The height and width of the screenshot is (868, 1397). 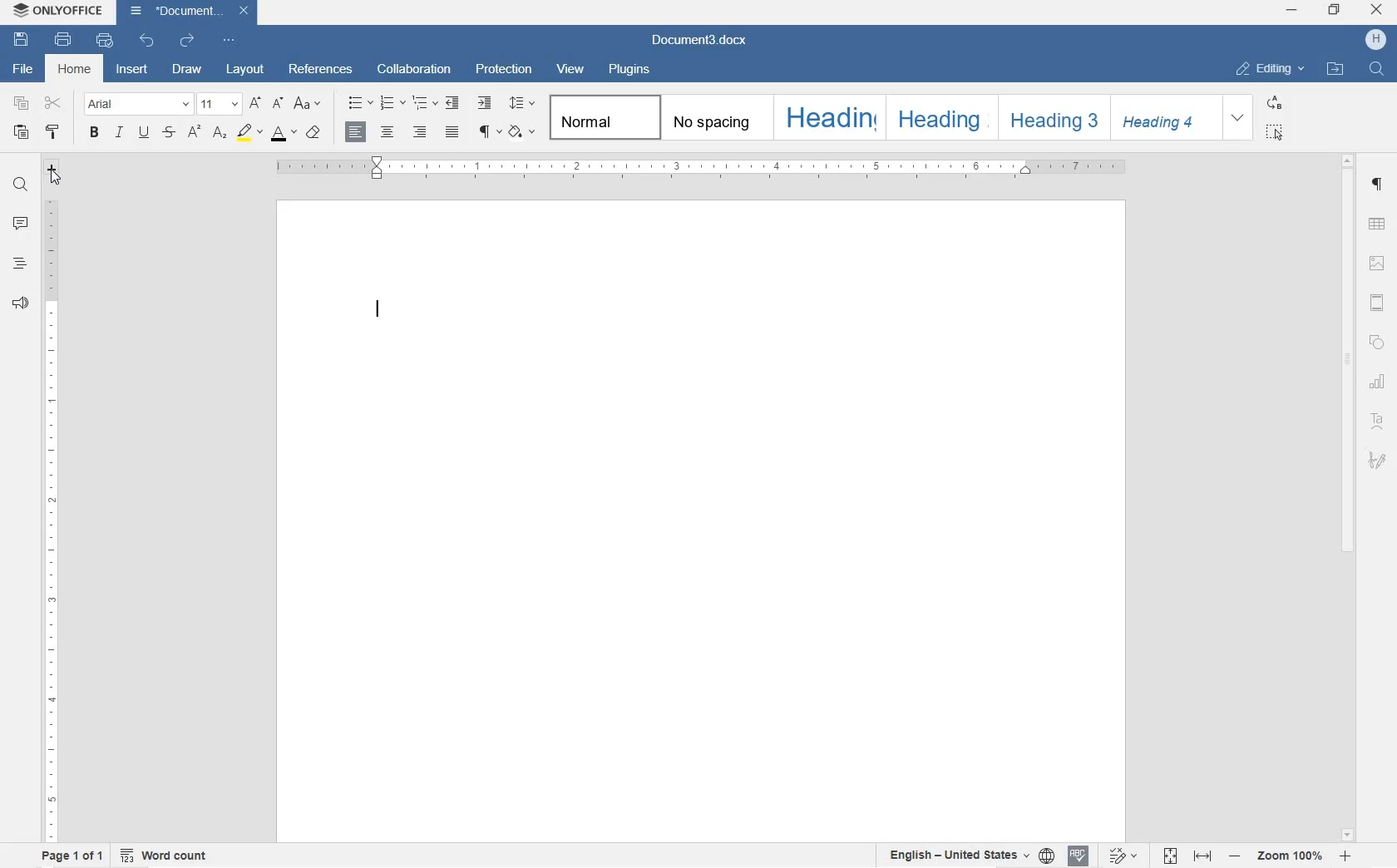 I want to click on INCREASE INDENT, so click(x=486, y=104).